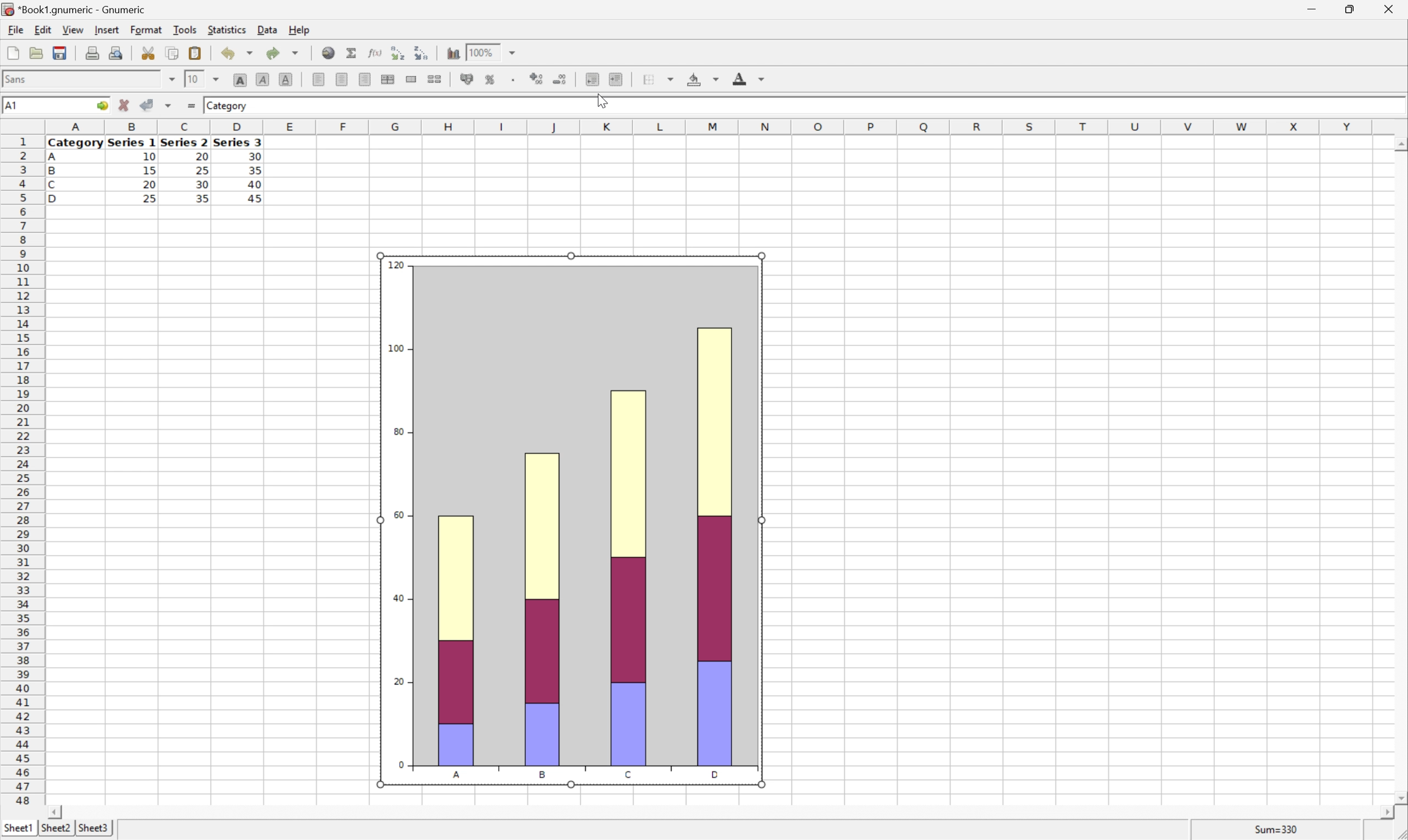 This screenshot has width=1408, height=840. I want to click on Insert, so click(108, 30).